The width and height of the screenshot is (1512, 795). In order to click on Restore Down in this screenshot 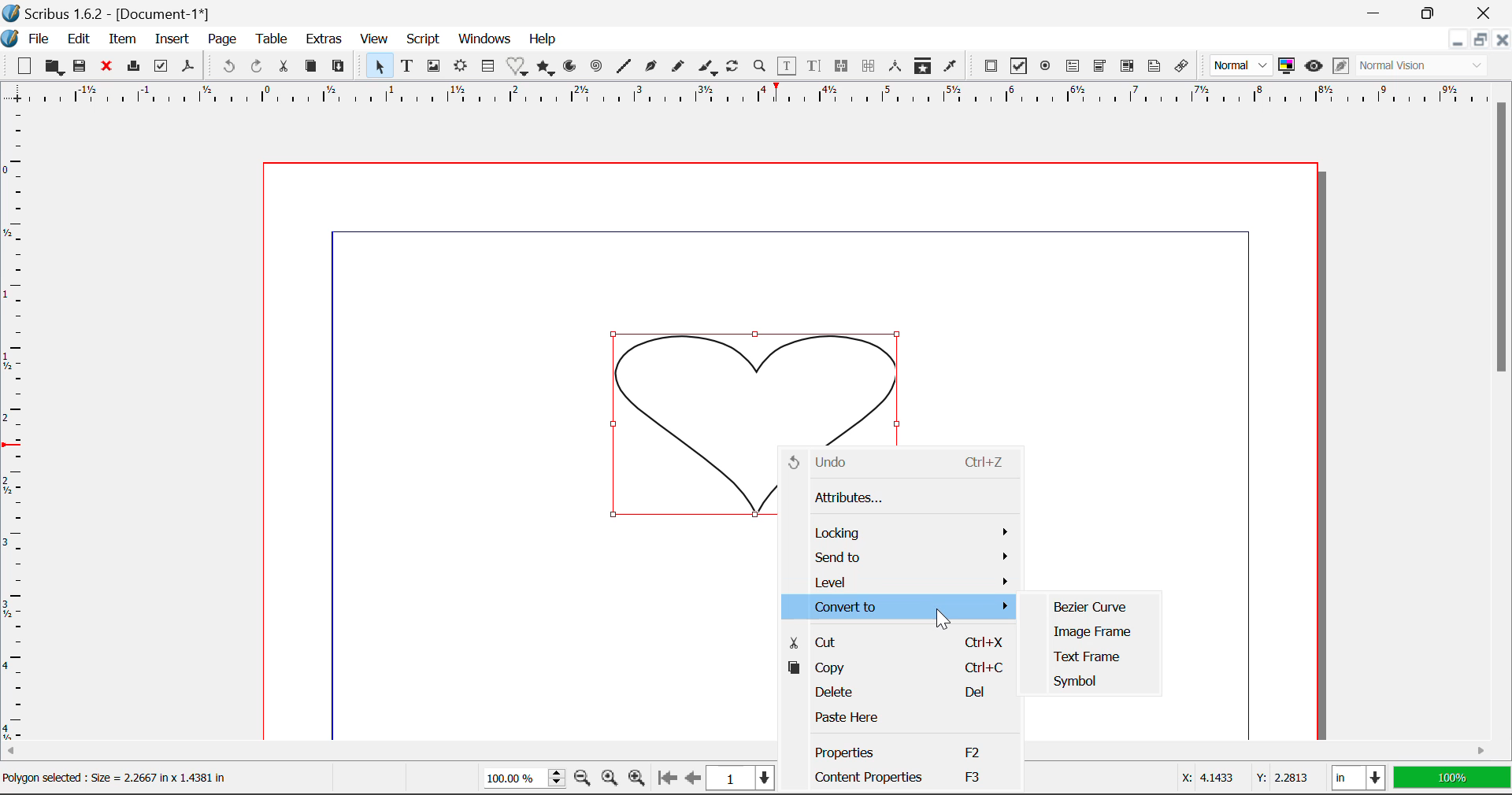, I will do `click(1459, 42)`.